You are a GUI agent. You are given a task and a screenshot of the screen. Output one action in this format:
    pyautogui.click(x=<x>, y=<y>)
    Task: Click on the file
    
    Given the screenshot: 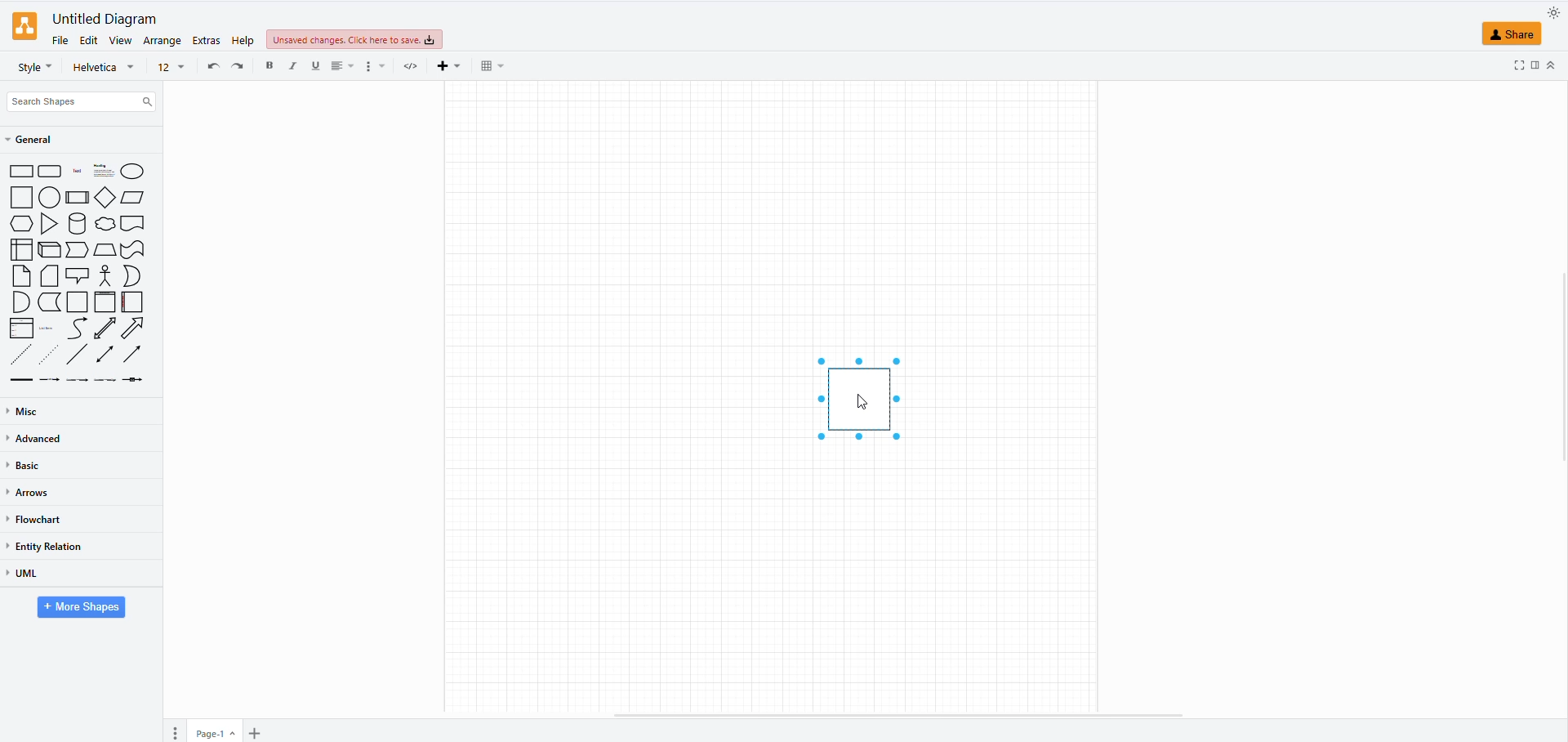 What is the action you would take?
    pyautogui.click(x=60, y=42)
    